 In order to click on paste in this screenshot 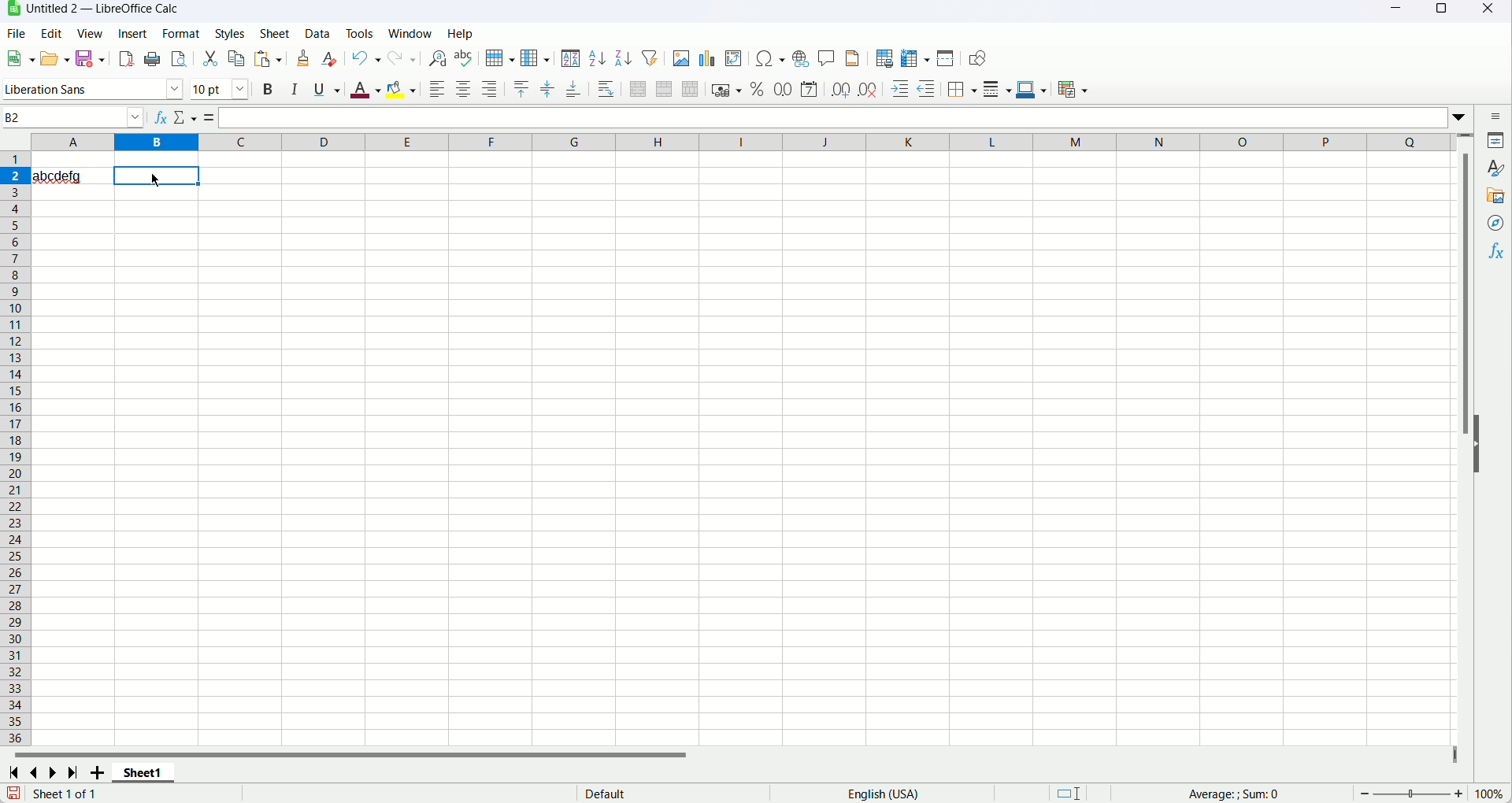, I will do `click(267, 58)`.